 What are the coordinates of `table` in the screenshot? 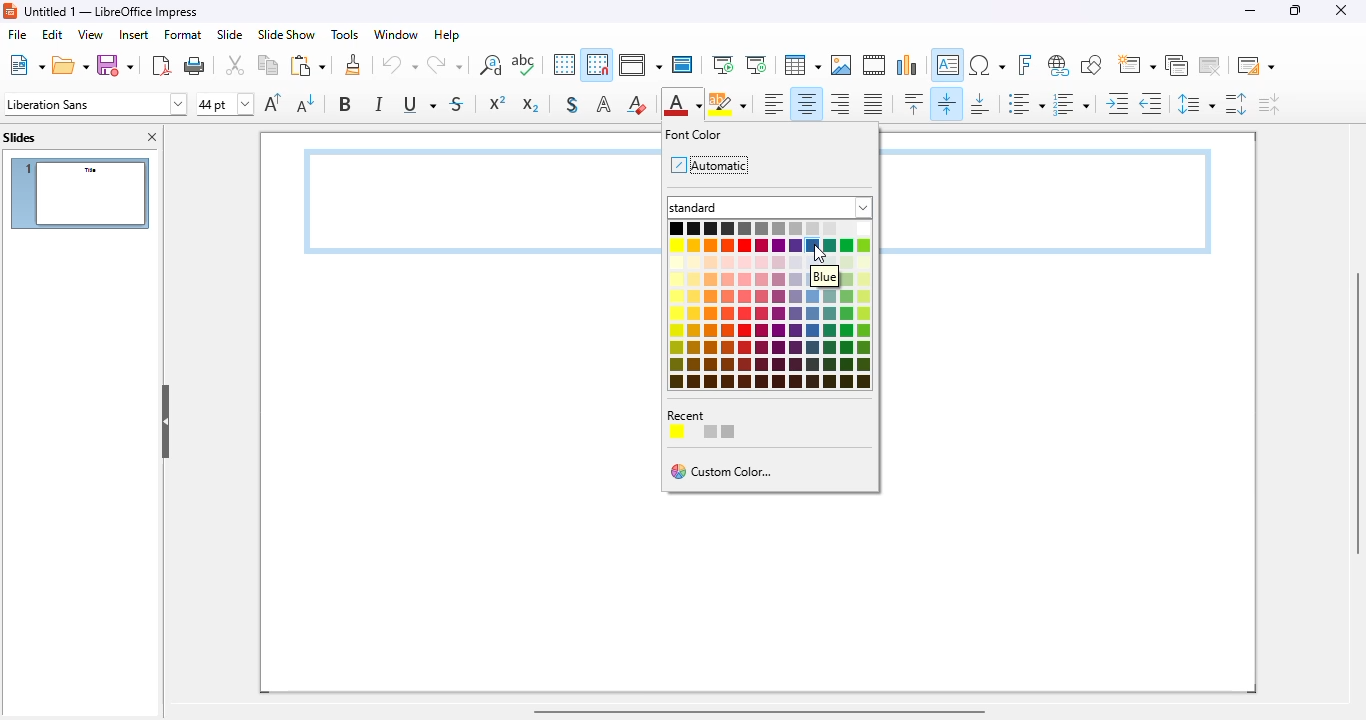 It's located at (802, 65).